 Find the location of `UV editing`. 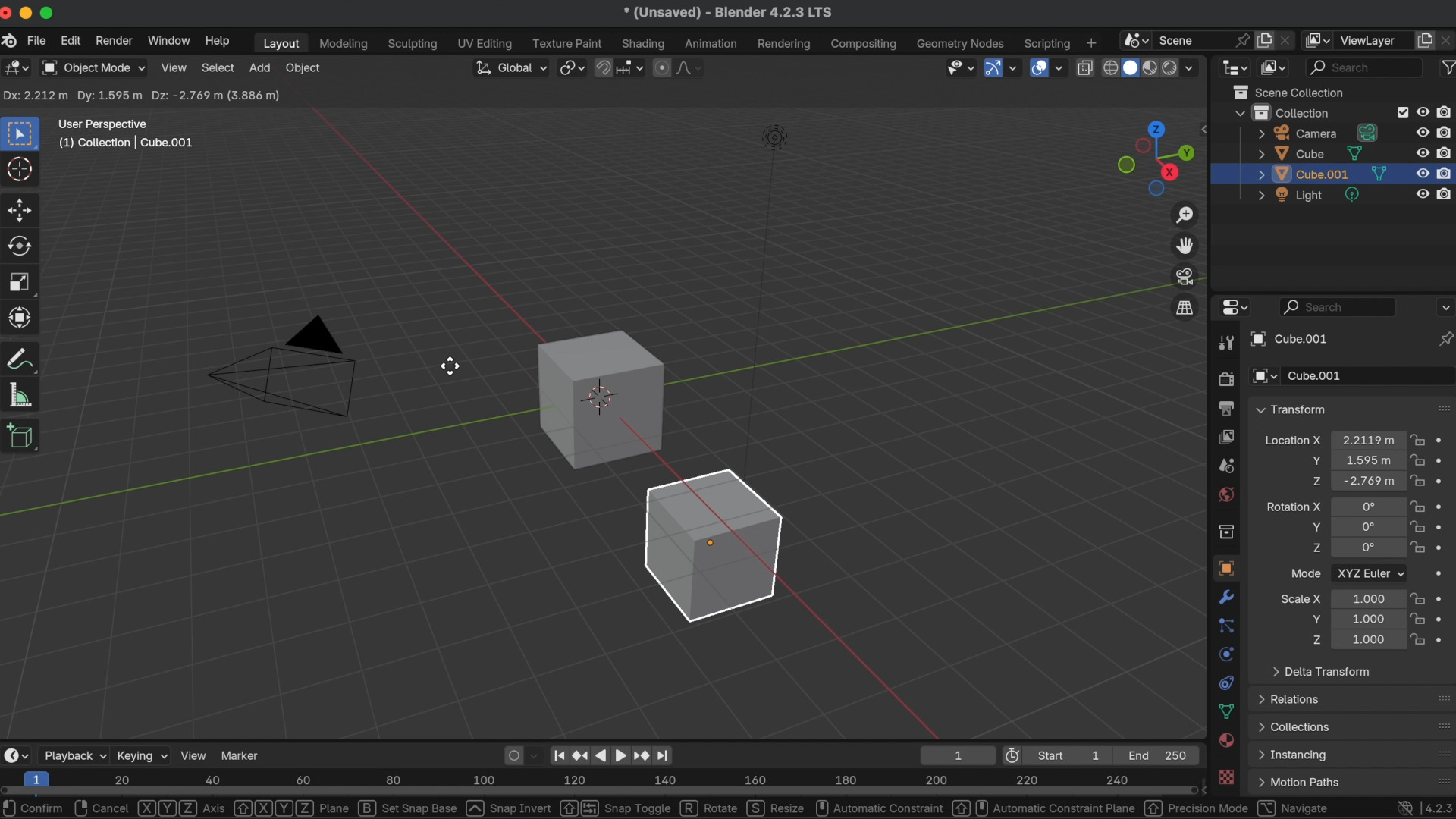

UV editing is located at coordinates (486, 43).